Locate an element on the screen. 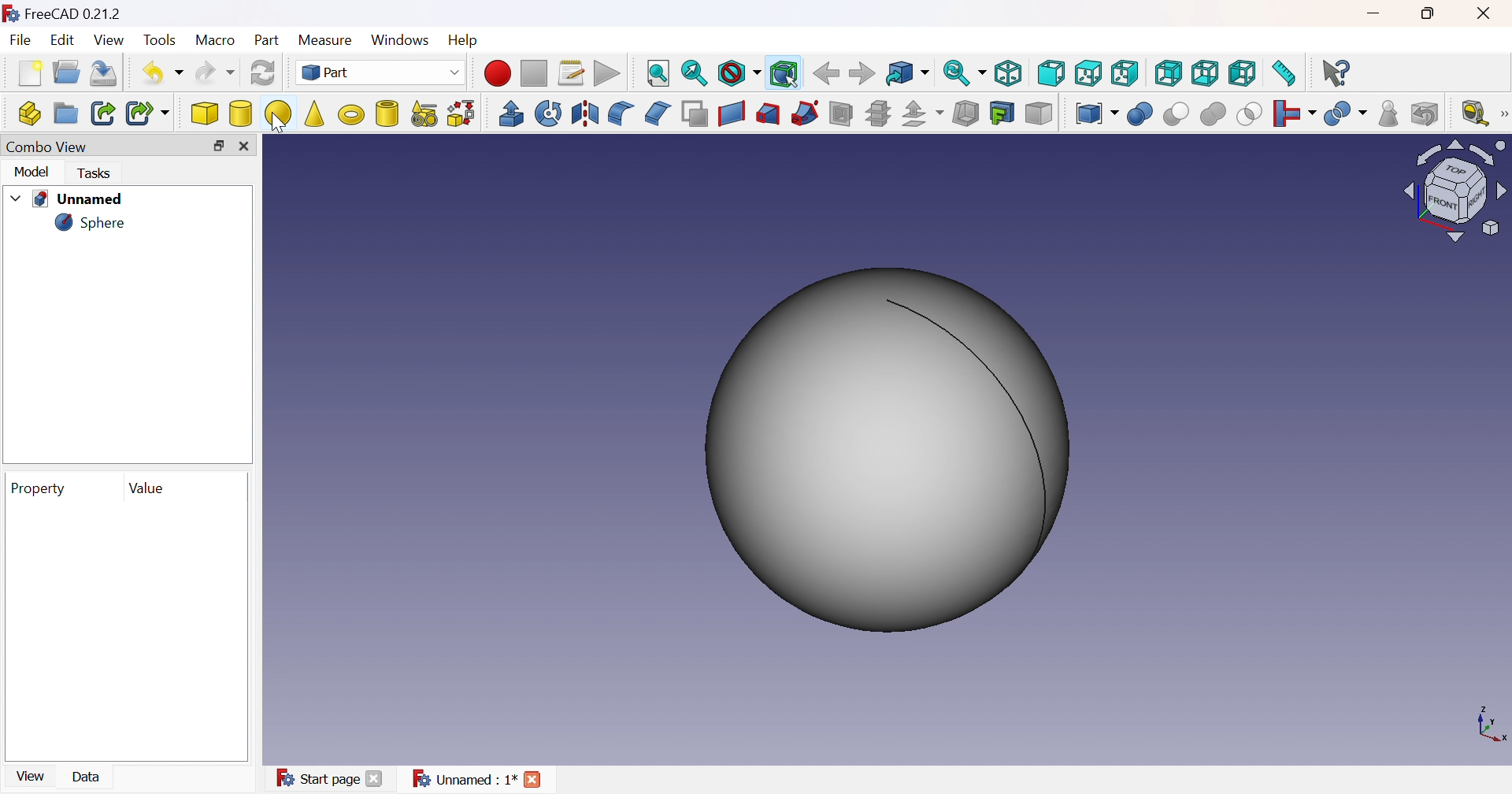 The image size is (1512, 794). Part is located at coordinates (267, 42).